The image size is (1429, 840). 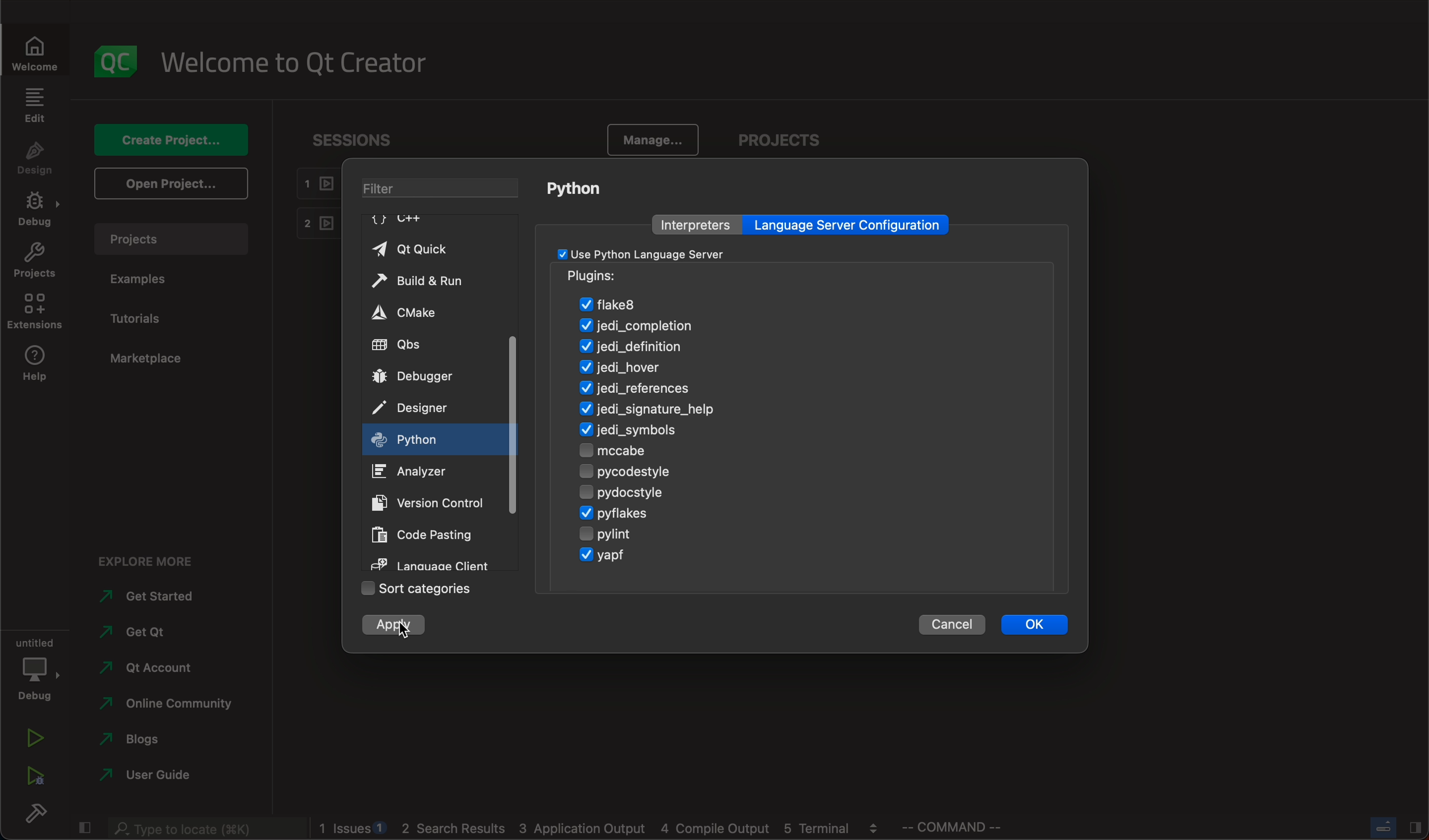 What do you see at coordinates (420, 377) in the screenshot?
I see `debugger` at bounding box center [420, 377].